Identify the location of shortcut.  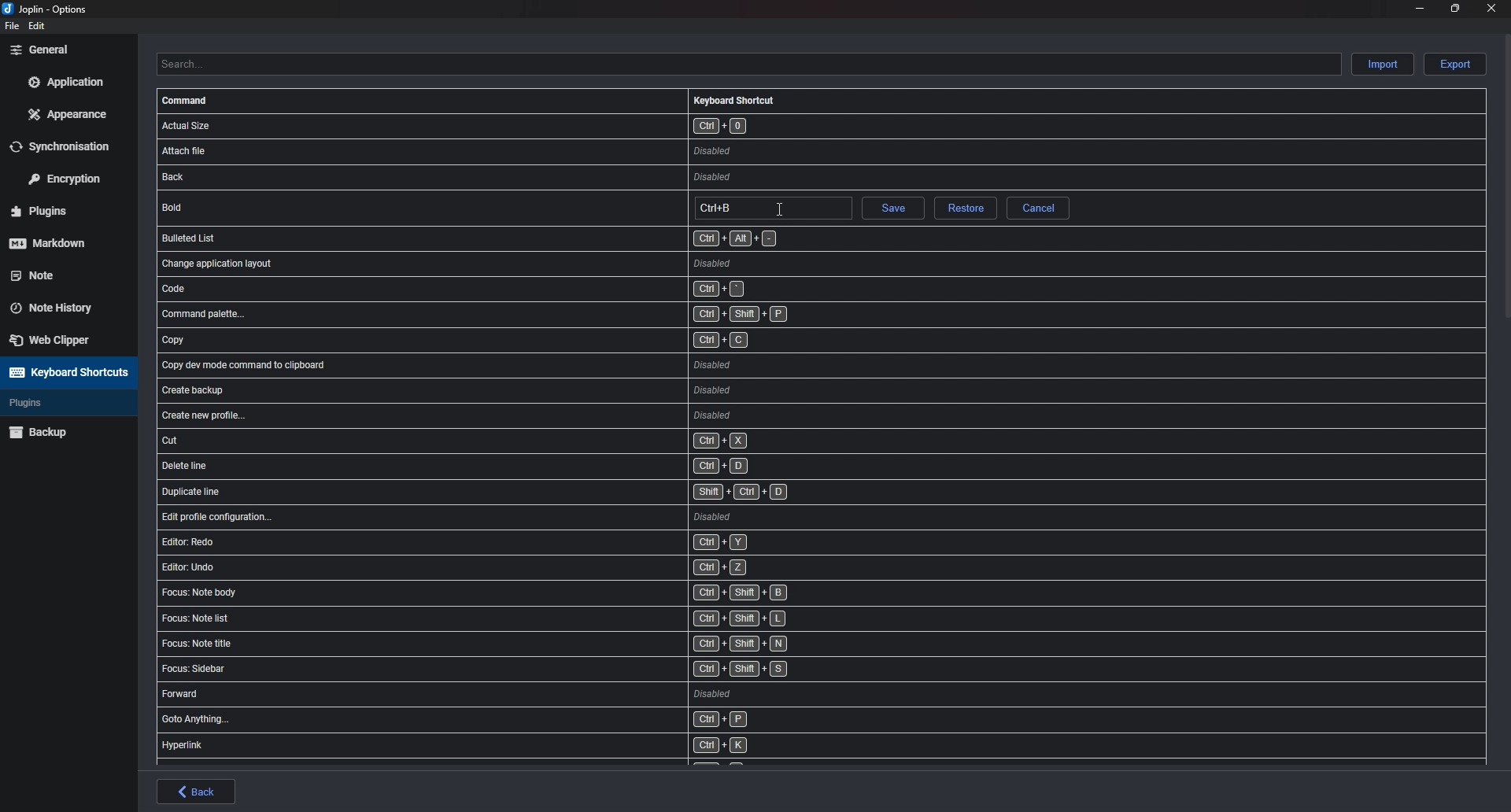
(532, 125).